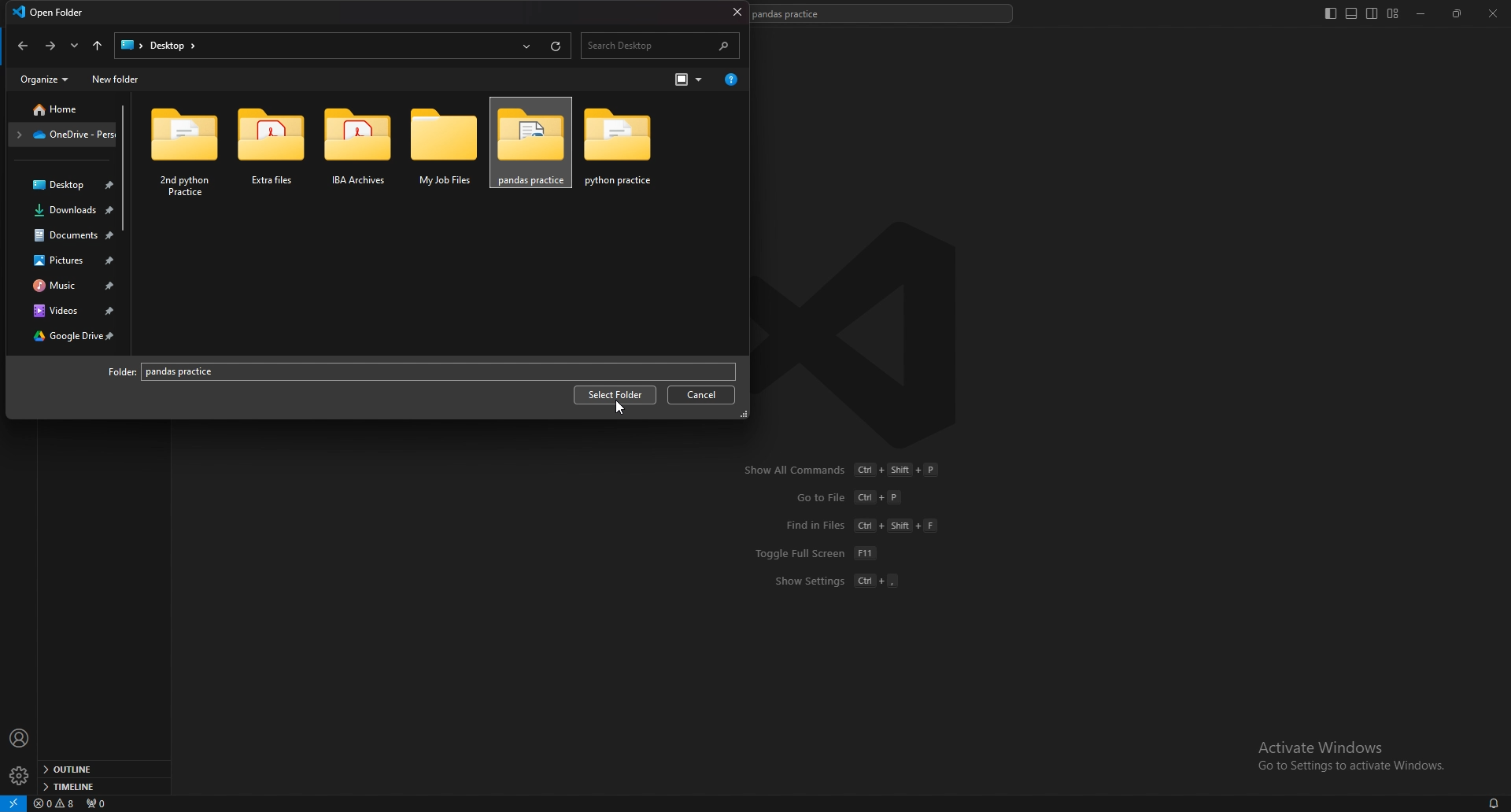 This screenshot has width=1511, height=812. What do you see at coordinates (526, 44) in the screenshot?
I see `recent` at bounding box center [526, 44].